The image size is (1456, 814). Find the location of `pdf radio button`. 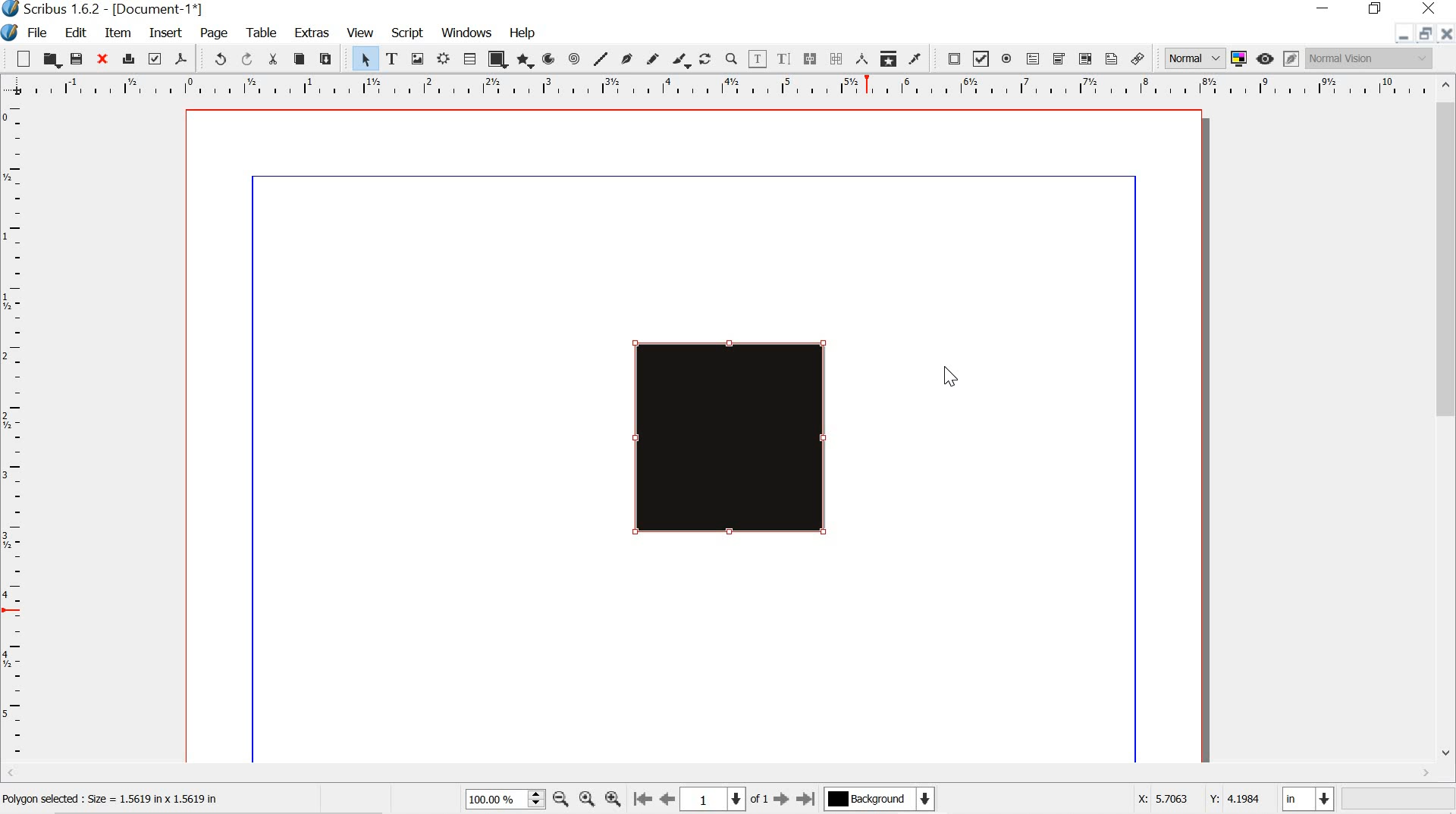

pdf radio button is located at coordinates (1009, 59).